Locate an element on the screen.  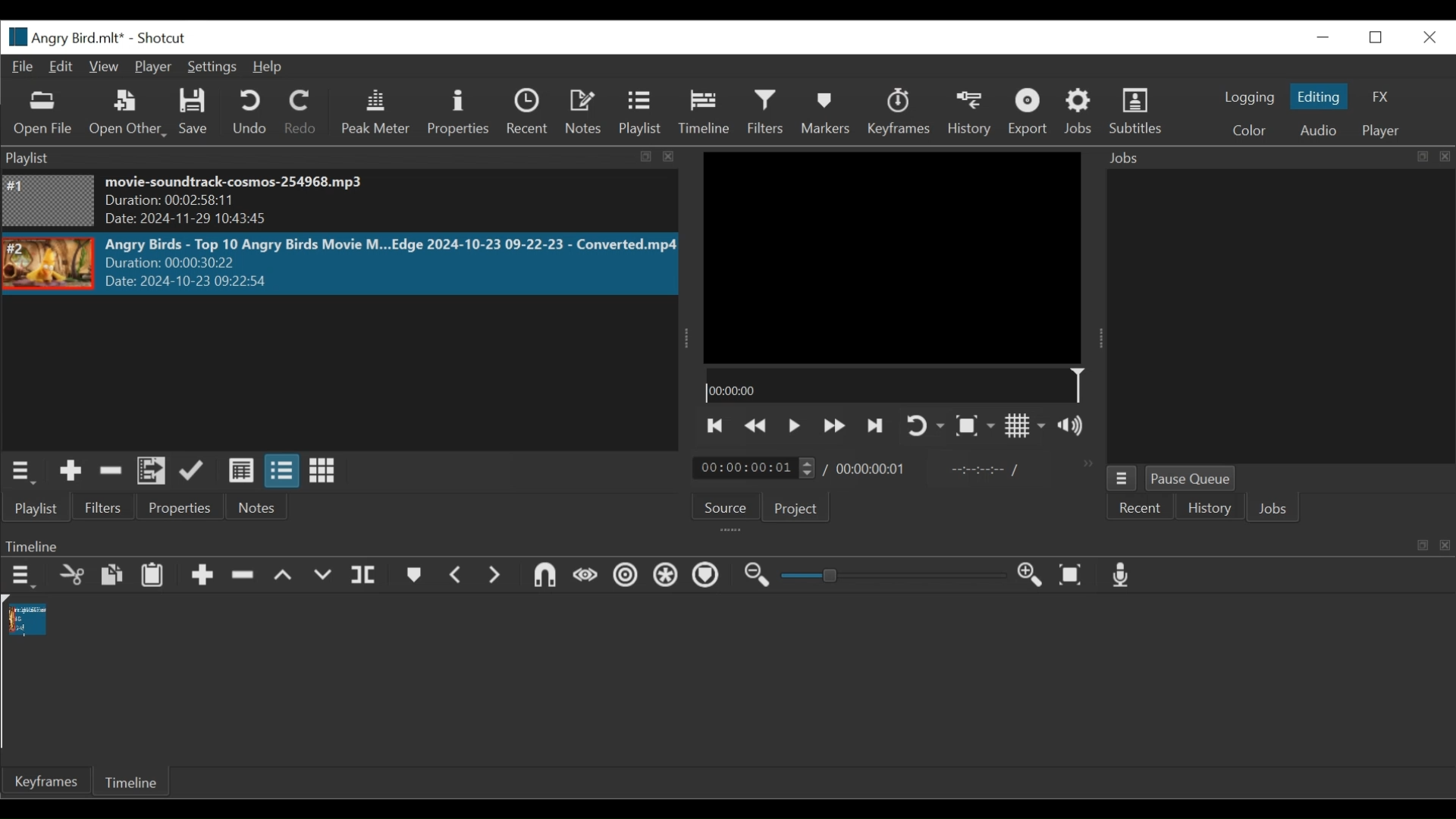
Cut is located at coordinates (71, 576).